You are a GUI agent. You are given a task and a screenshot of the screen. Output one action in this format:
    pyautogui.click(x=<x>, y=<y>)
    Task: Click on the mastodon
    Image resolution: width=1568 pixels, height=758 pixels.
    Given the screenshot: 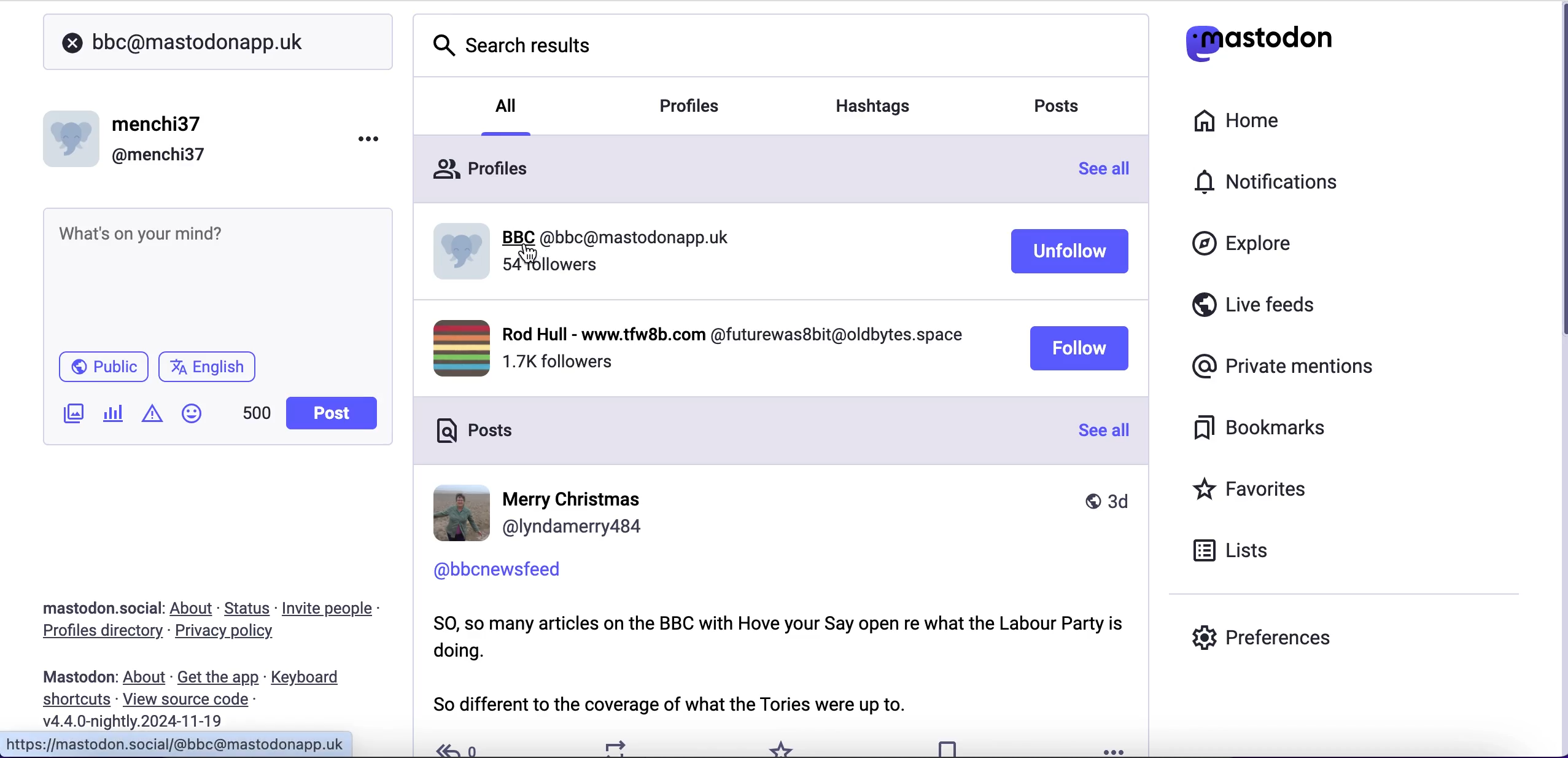 What is the action you would take?
    pyautogui.click(x=79, y=677)
    